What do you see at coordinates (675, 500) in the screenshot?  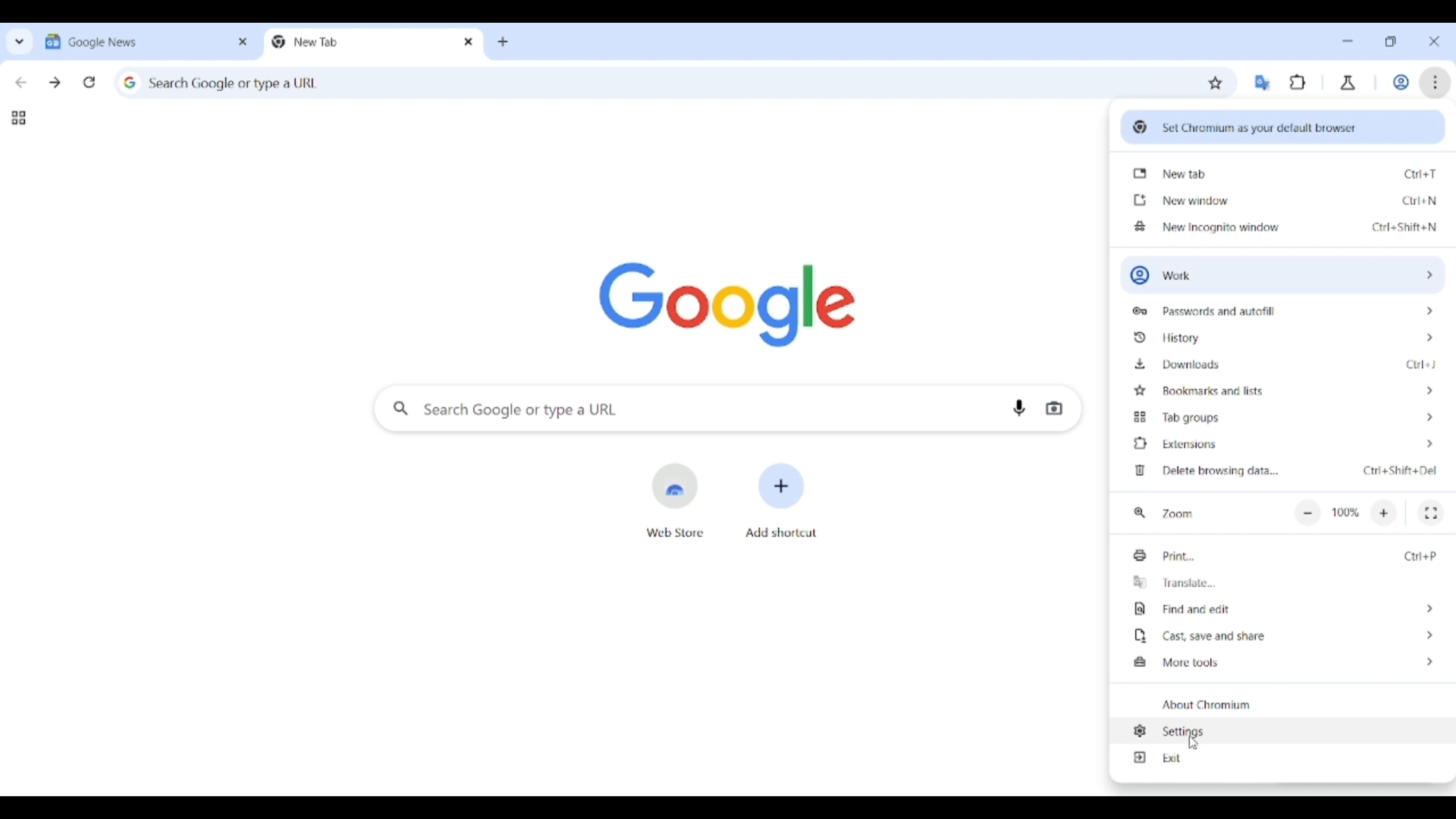 I see `Open web store` at bounding box center [675, 500].